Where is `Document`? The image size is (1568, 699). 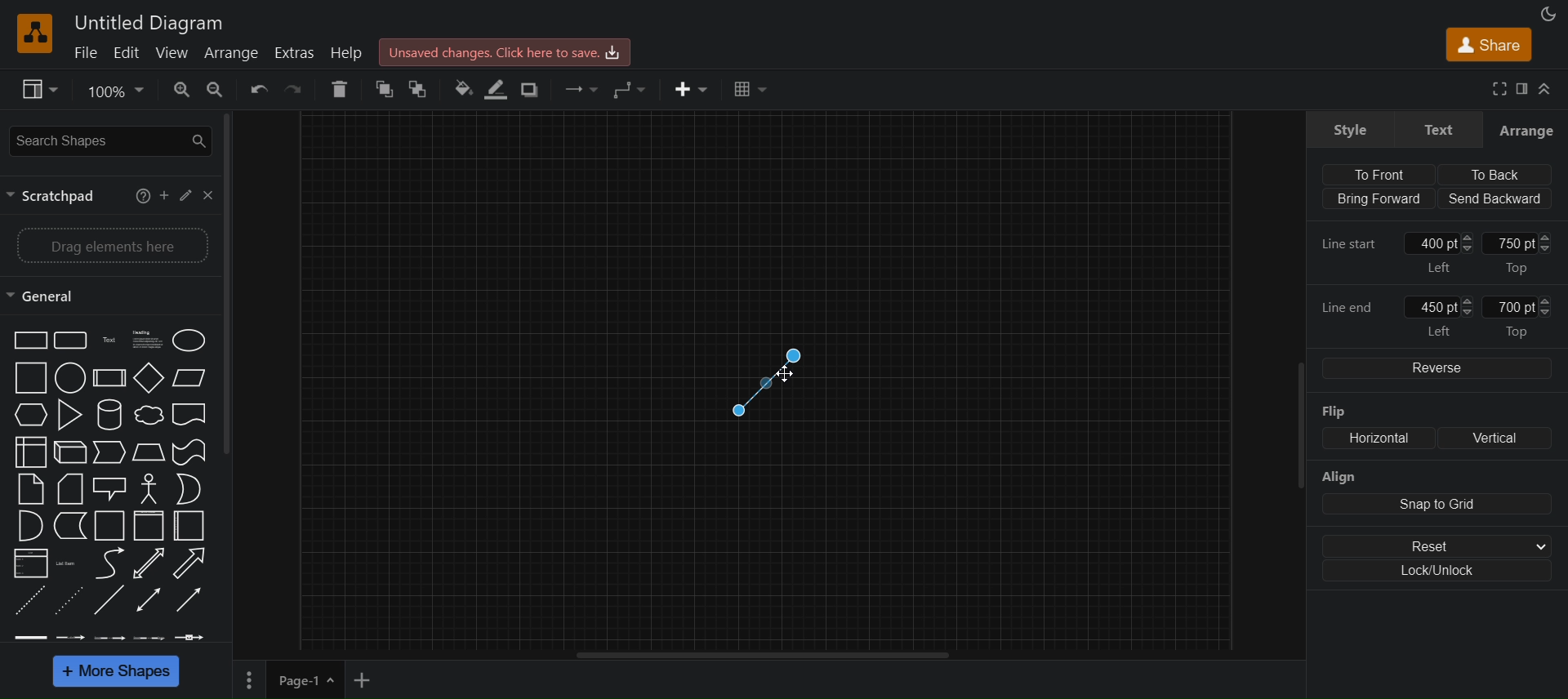 Document is located at coordinates (191, 416).